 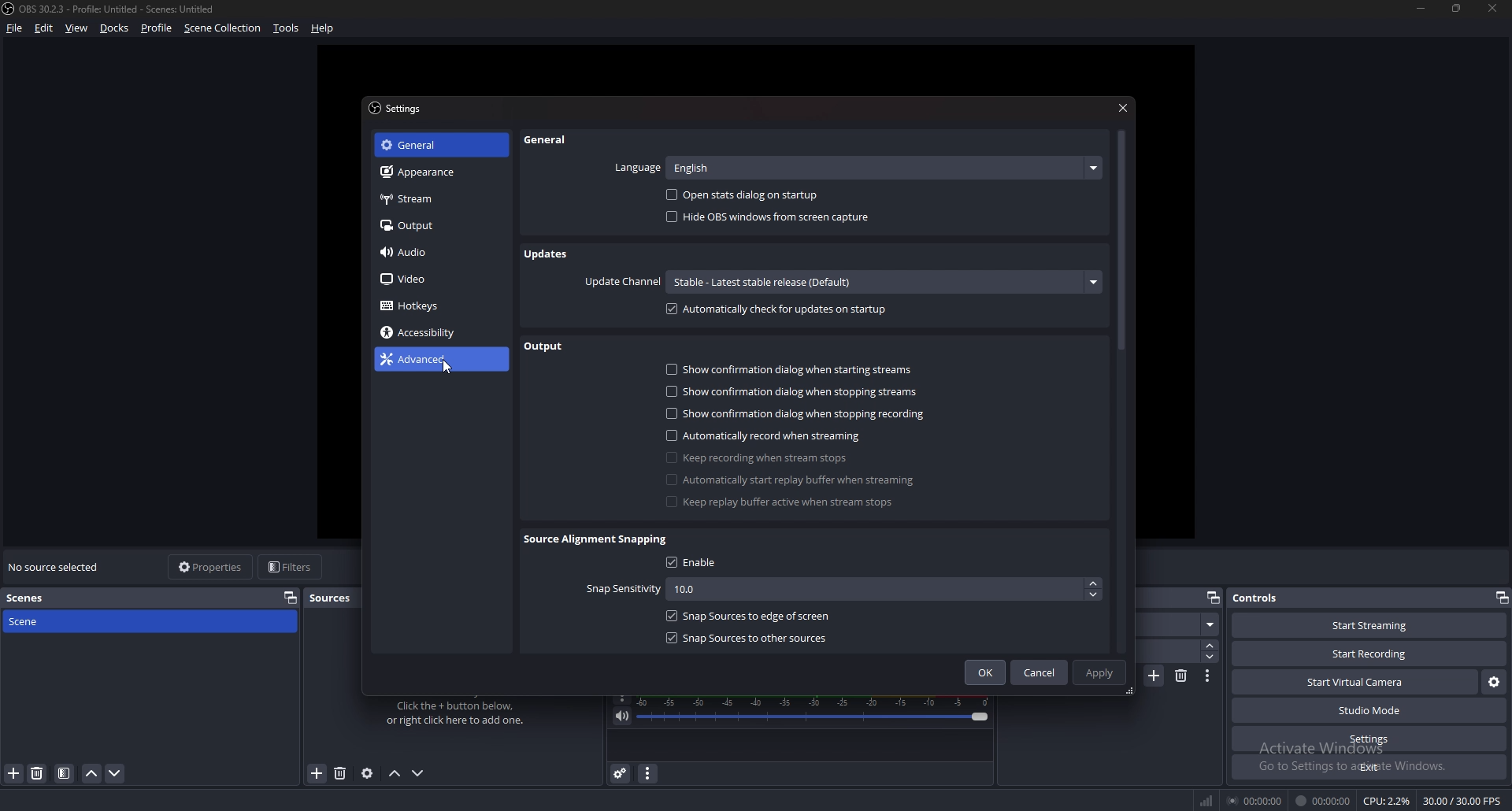 I want to click on Show confirmation dialog when stopping recording, so click(x=794, y=414).